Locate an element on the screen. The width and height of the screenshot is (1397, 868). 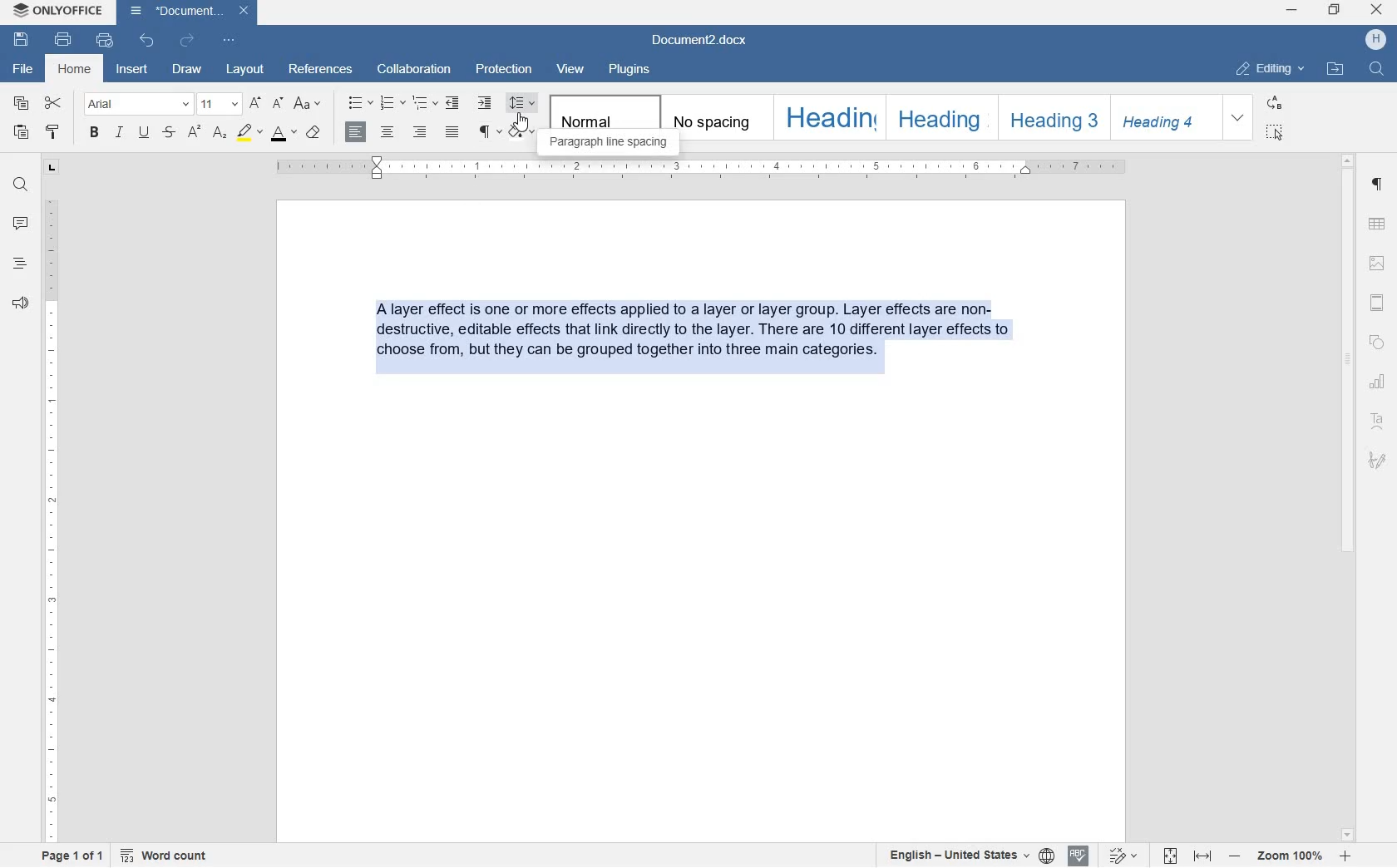
shading  is located at coordinates (521, 132).